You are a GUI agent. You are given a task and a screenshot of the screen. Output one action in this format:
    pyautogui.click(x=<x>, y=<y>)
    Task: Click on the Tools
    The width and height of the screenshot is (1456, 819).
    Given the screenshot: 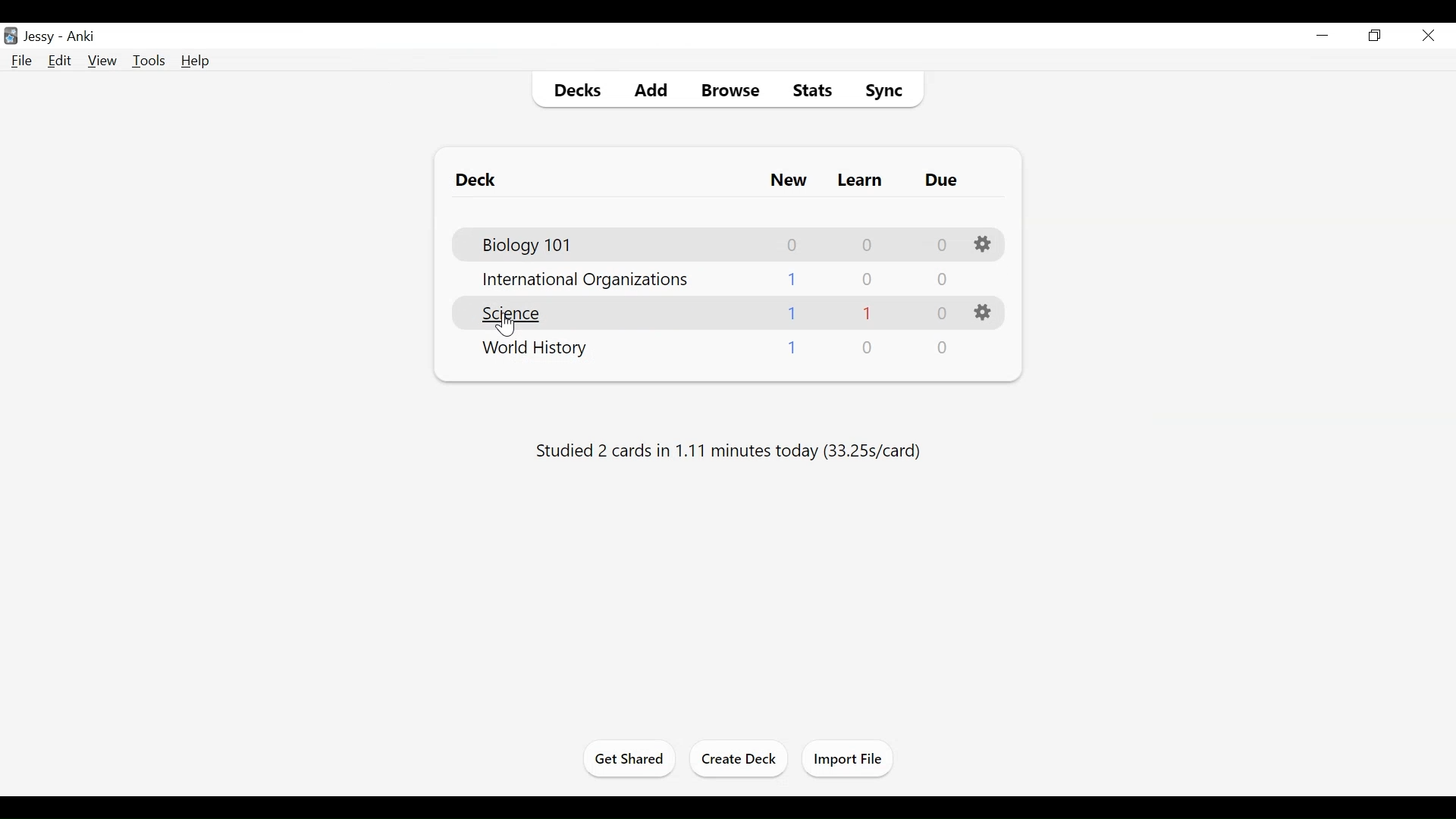 What is the action you would take?
    pyautogui.click(x=149, y=61)
    